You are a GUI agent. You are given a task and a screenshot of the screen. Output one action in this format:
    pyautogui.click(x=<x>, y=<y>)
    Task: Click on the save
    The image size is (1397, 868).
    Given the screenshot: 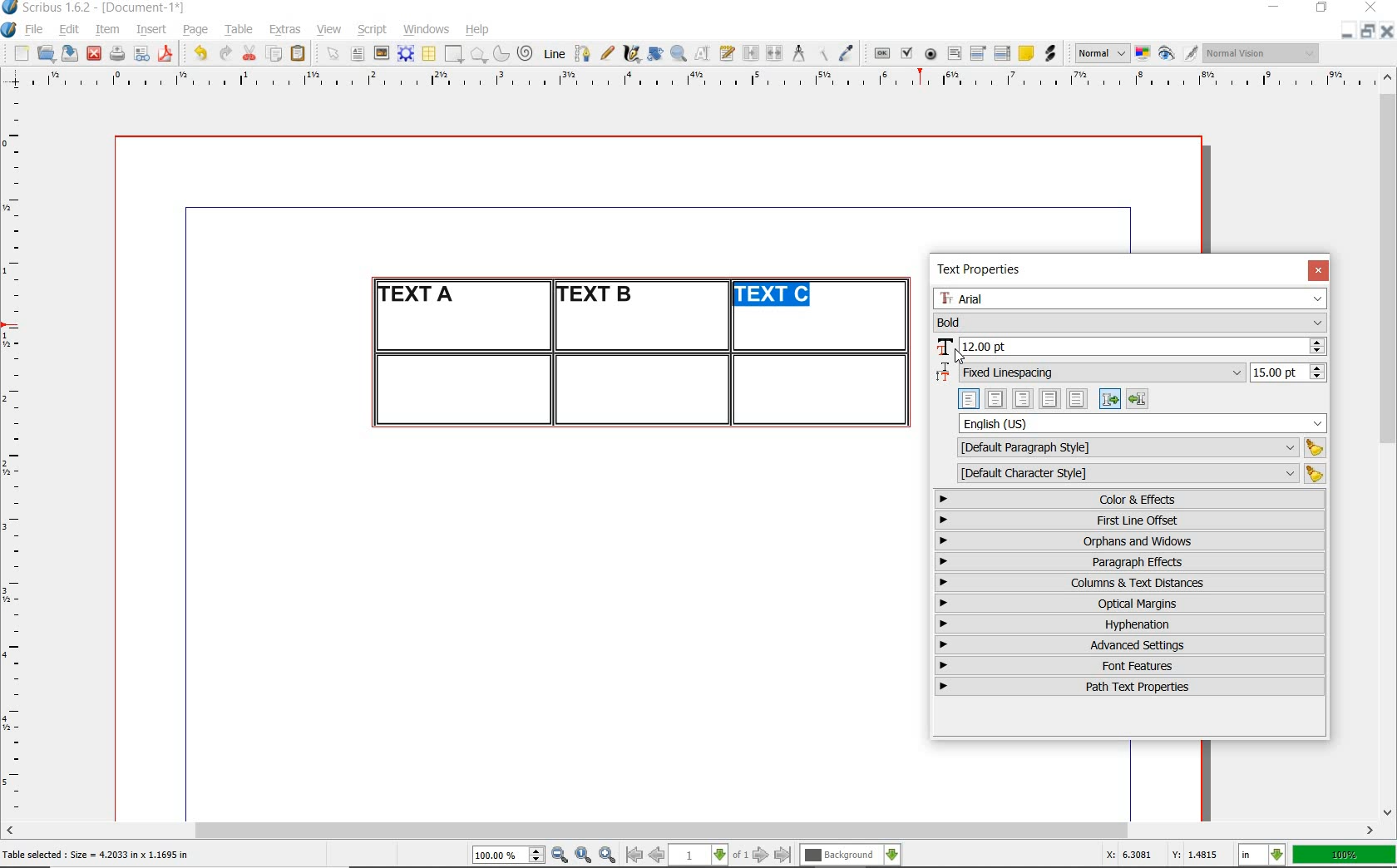 What is the action you would take?
    pyautogui.click(x=67, y=53)
    